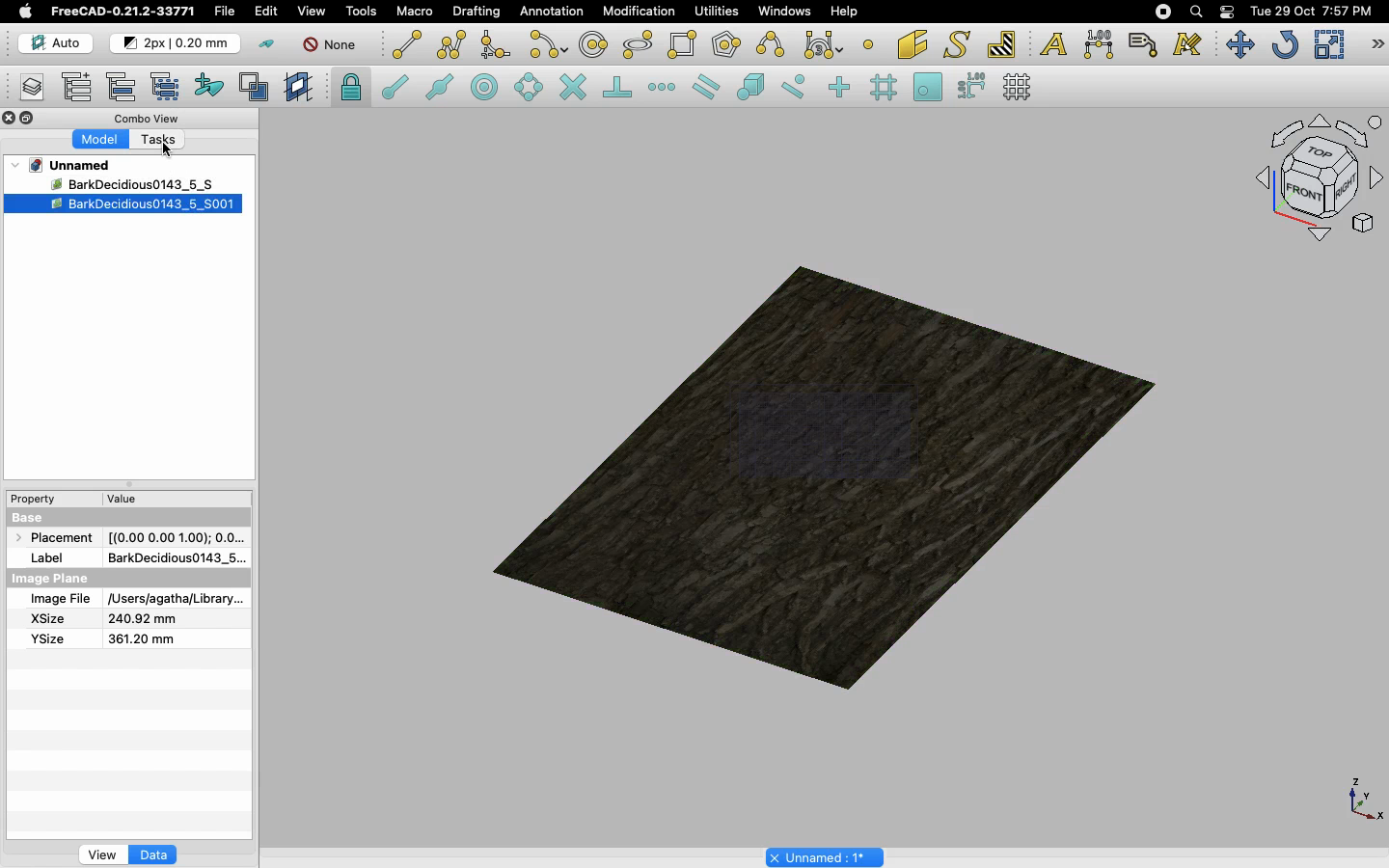  I want to click on Arc tools, so click(547, 46).